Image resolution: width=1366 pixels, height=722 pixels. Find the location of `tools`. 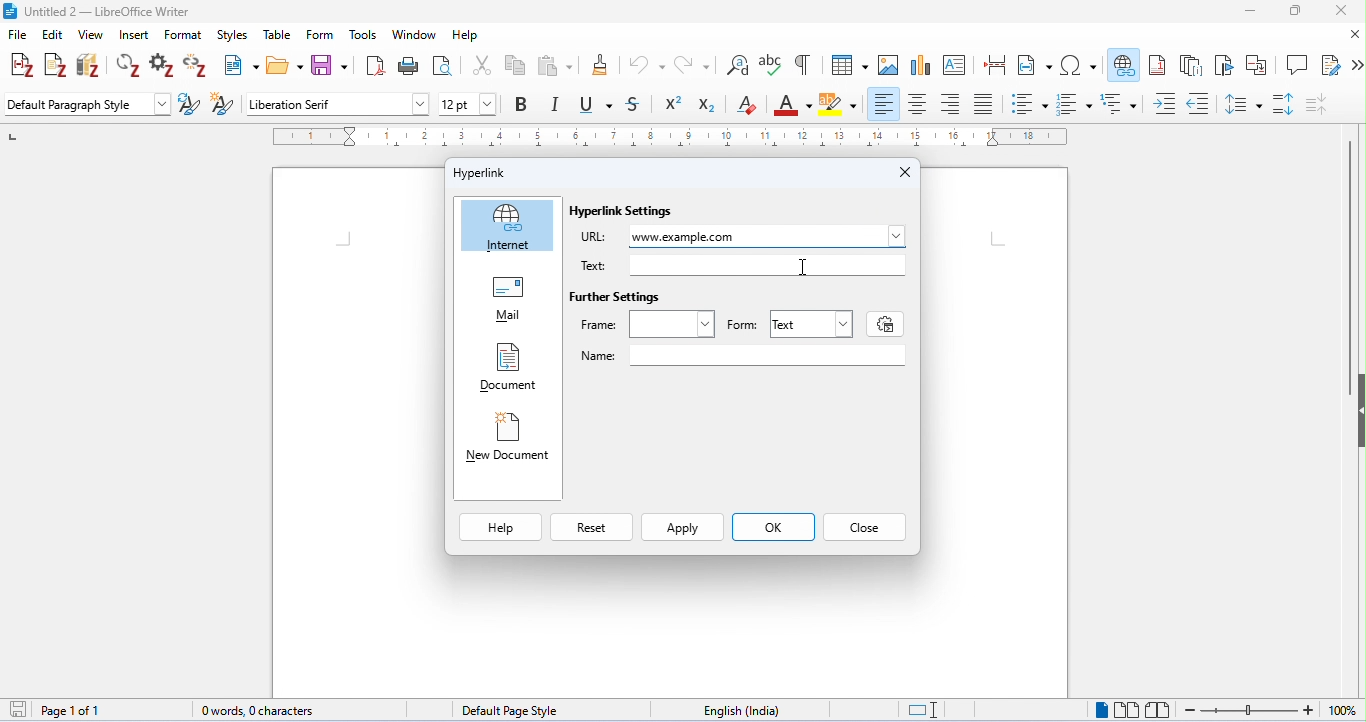

tools is located at coordinates (364, 34).